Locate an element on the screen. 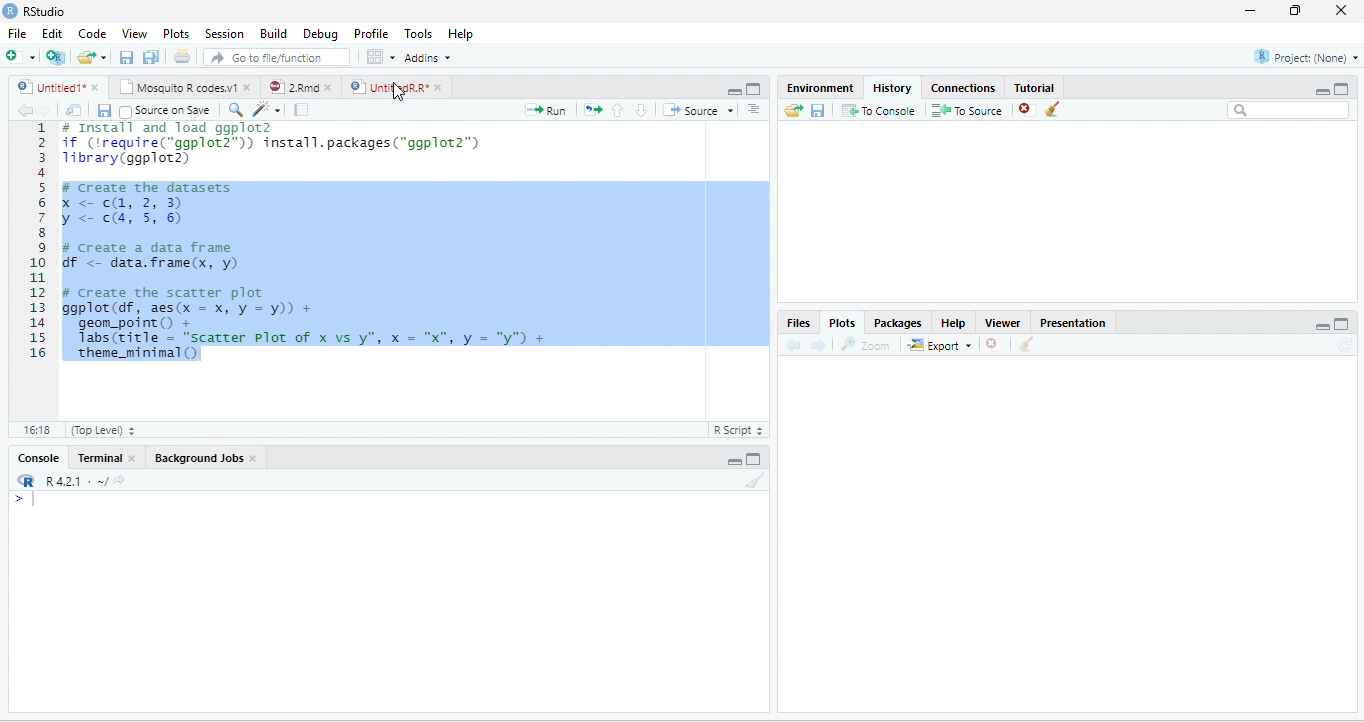 The image size is (1364, 722). Clear console is located at coordinates (756, 480).